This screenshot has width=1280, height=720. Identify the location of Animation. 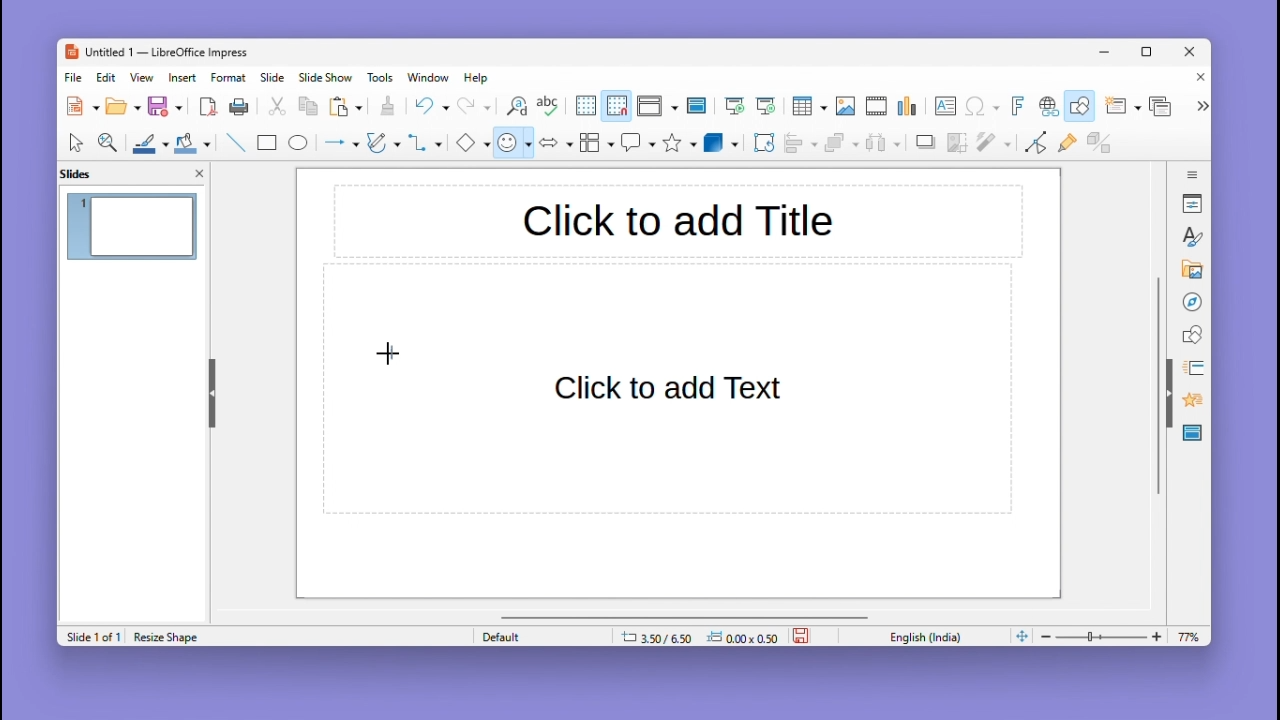
(1190, 368).